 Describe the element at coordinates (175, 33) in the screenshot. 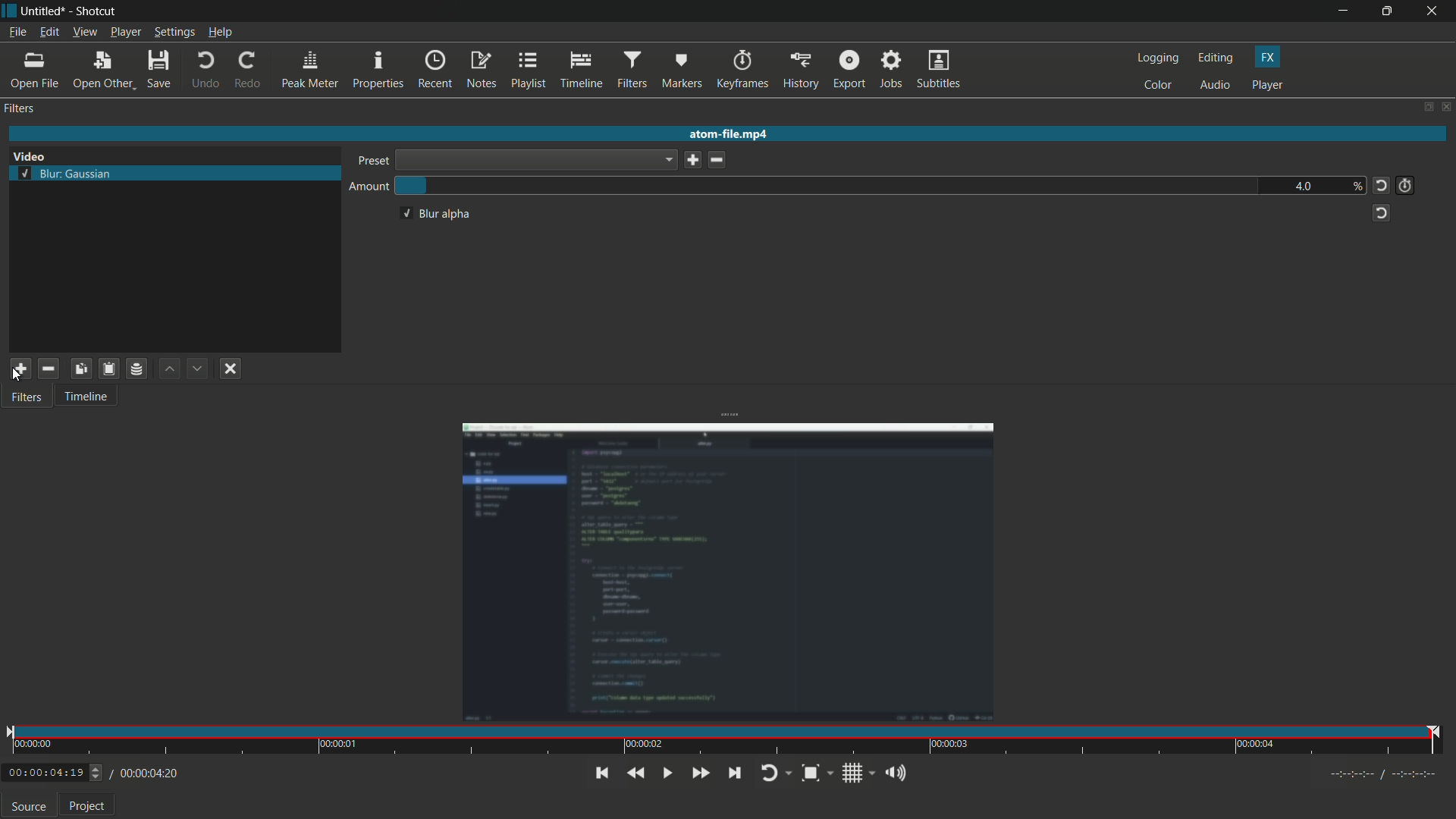

I see `settings menu` at that location.